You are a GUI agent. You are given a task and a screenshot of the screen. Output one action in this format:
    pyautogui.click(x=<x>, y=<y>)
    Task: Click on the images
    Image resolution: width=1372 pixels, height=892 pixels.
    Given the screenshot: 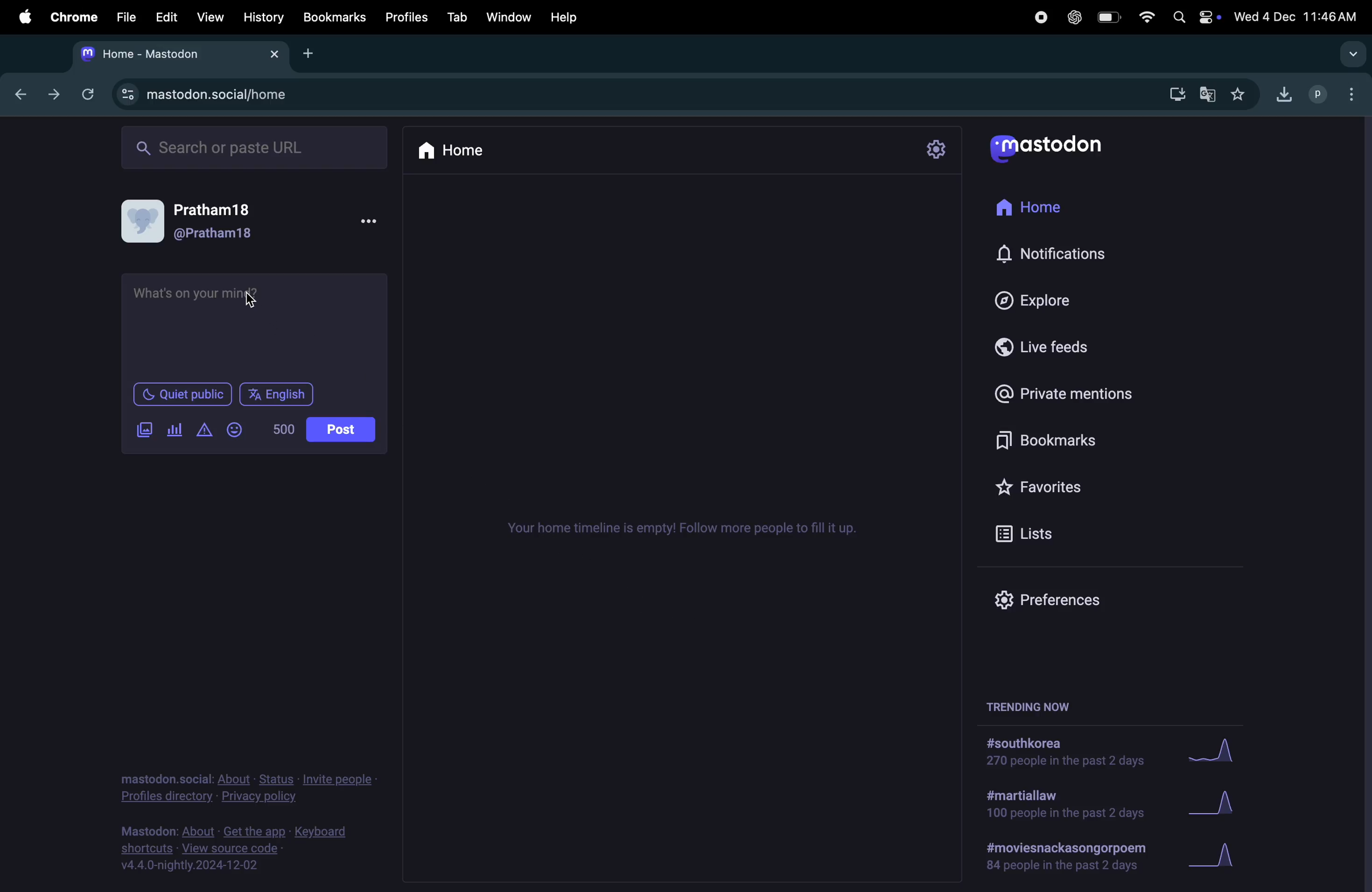 What is the action you would take?
    pyautogui.click(x=144, y=430)
    